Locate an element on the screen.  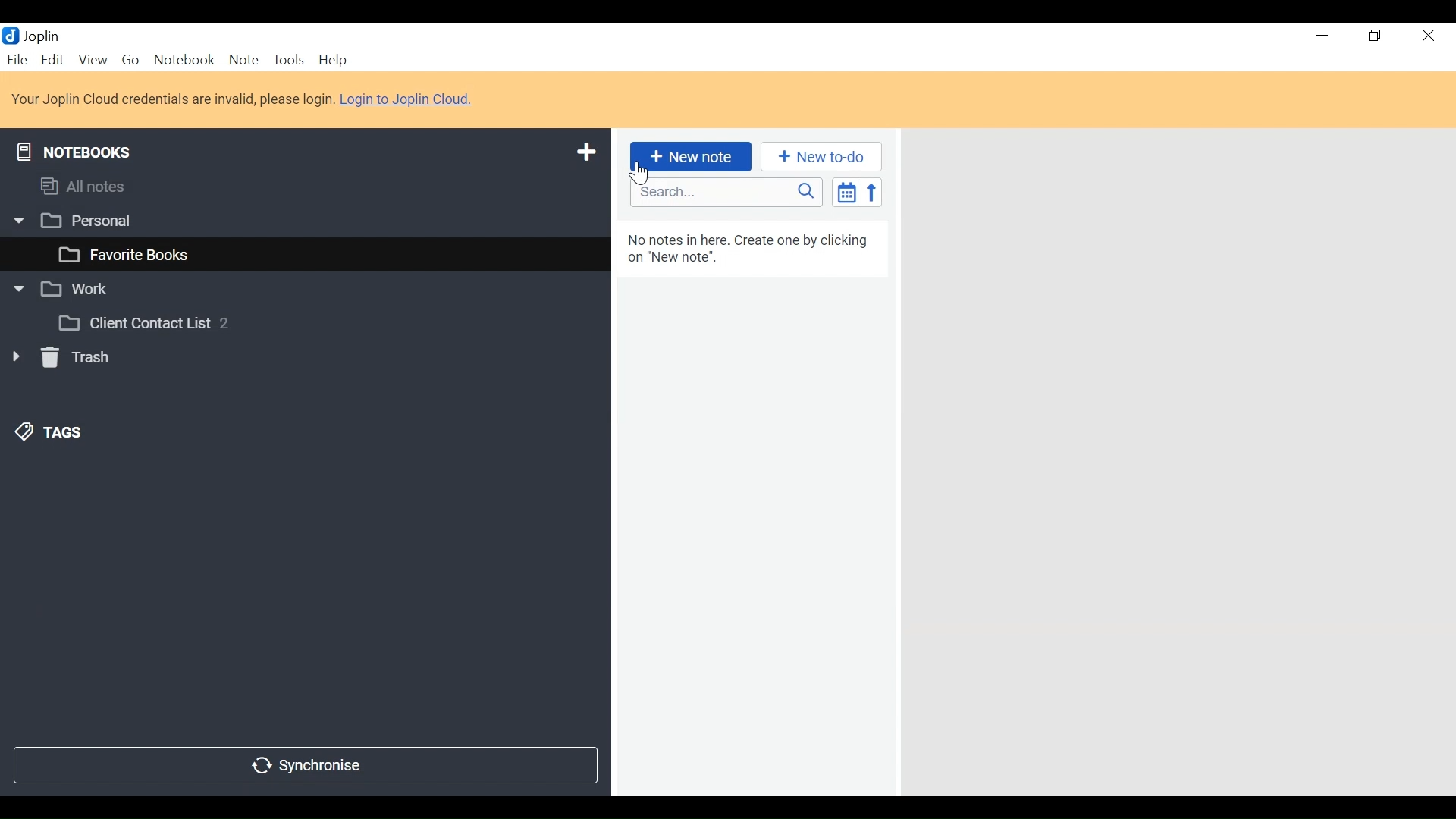
Tools is located at coordinates (287, 61).